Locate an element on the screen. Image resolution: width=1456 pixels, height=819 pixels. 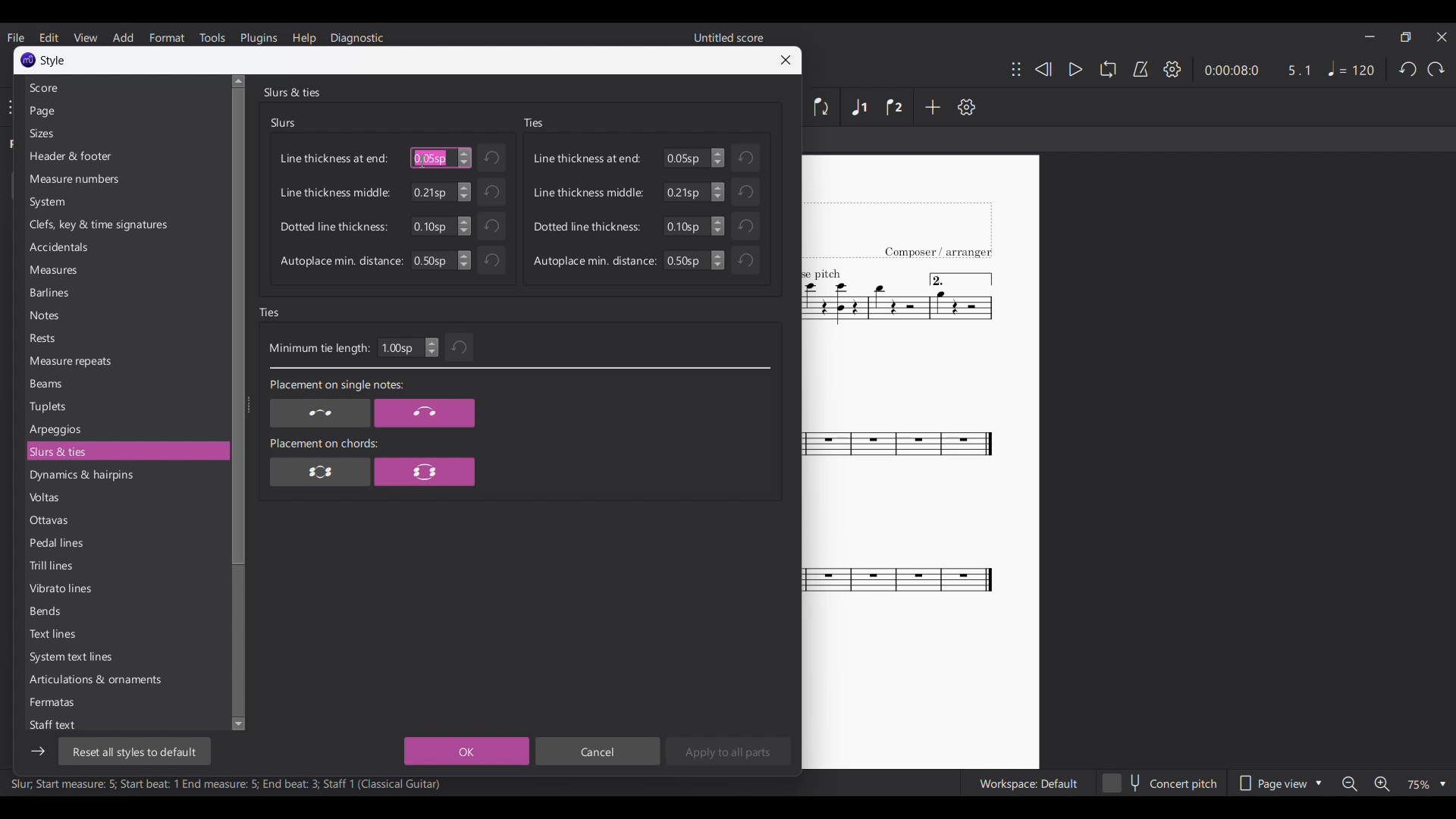
Staff text is located at coordinates (124, 724).